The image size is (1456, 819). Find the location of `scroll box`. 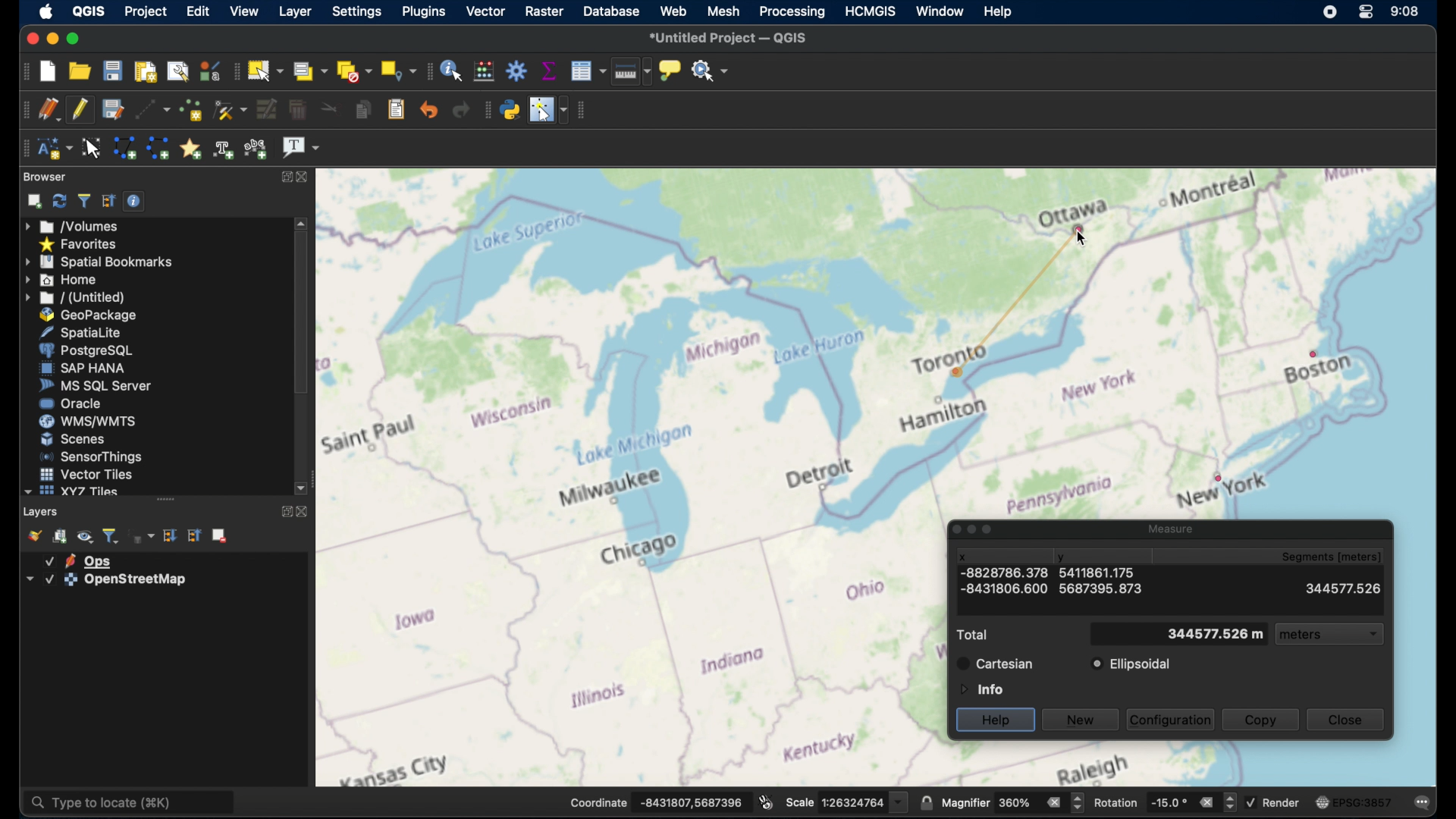

scroll box is located at coordinates (301, 316).